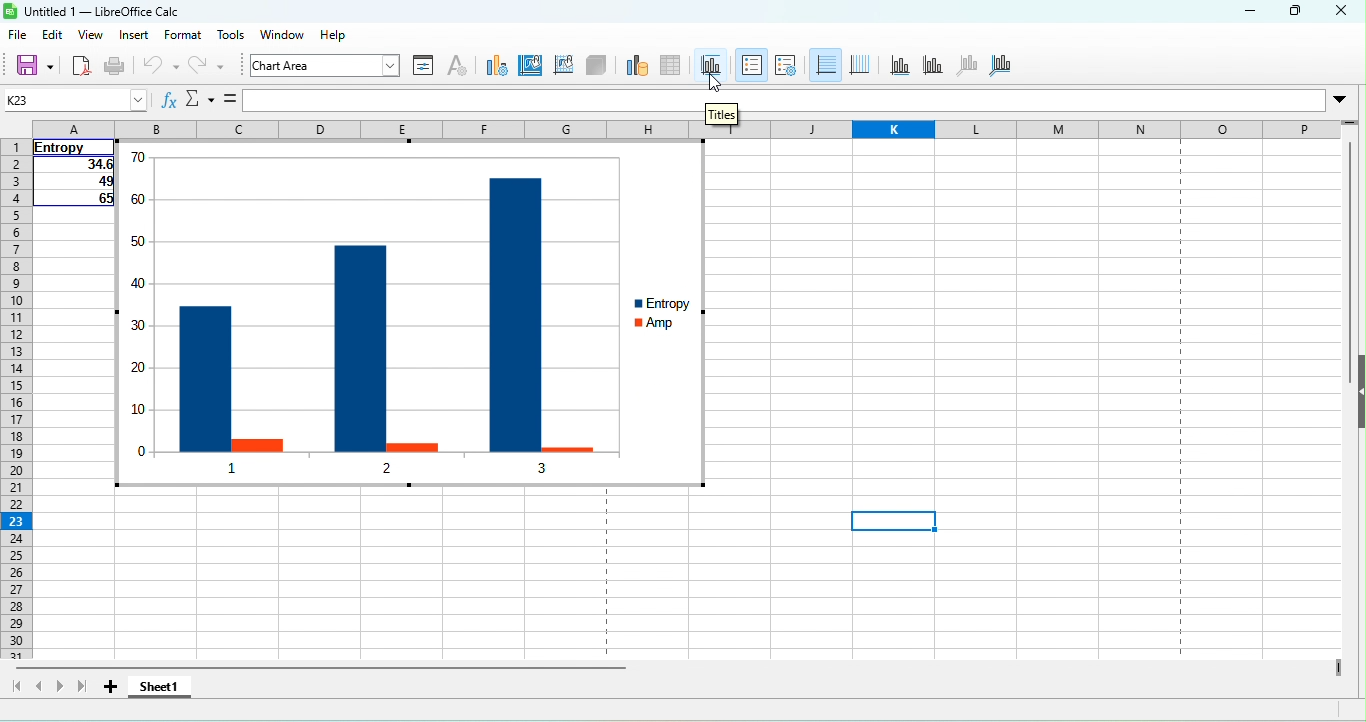 The width and height of the screenshot is (1366, 722). What do you see at coordinates (686, 130) in the screenshot?
I see `column headings` at bounding box center [686, 130].